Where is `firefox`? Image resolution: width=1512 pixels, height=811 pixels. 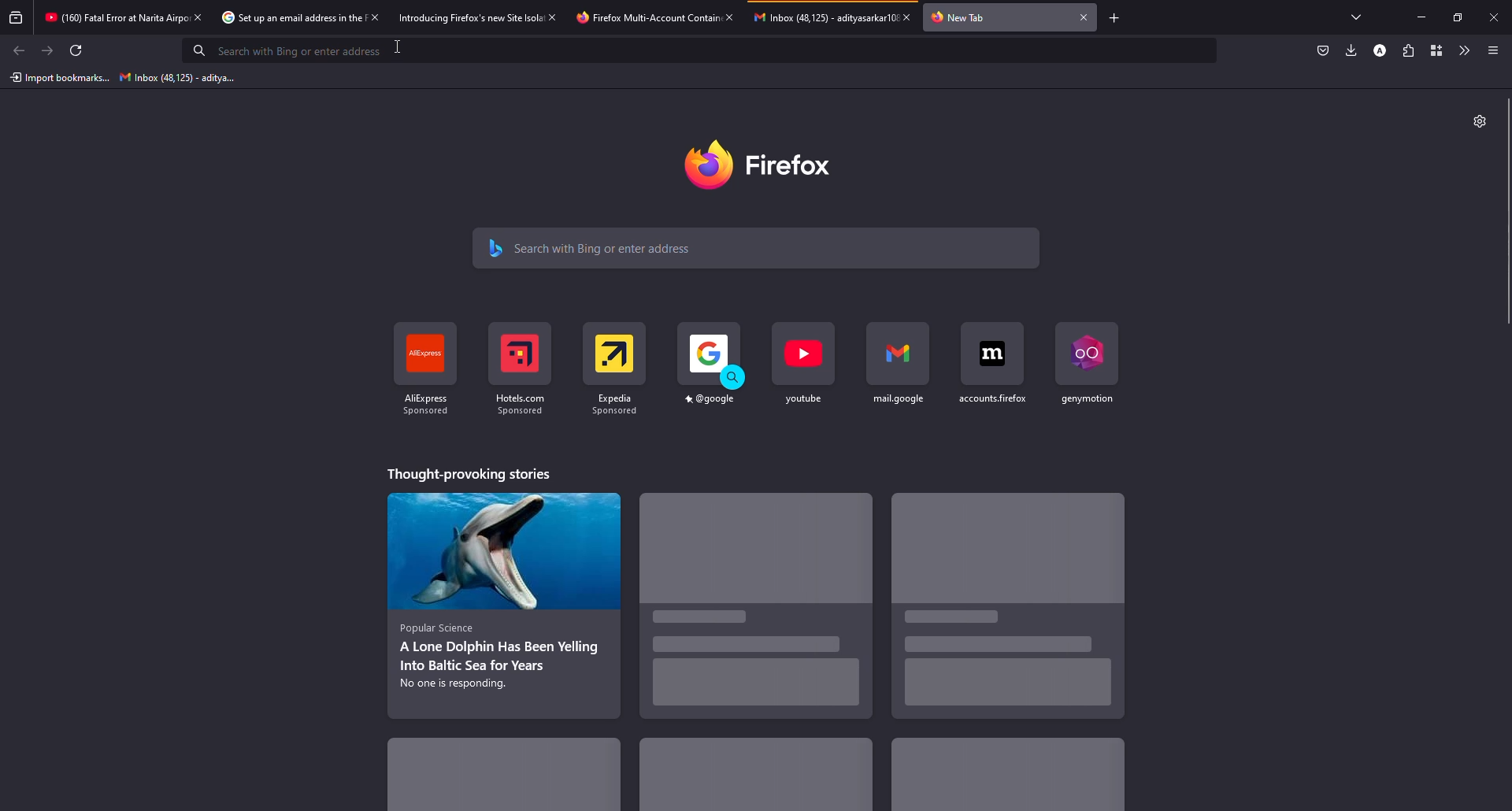
firefox is located at coordinates (764, 163).